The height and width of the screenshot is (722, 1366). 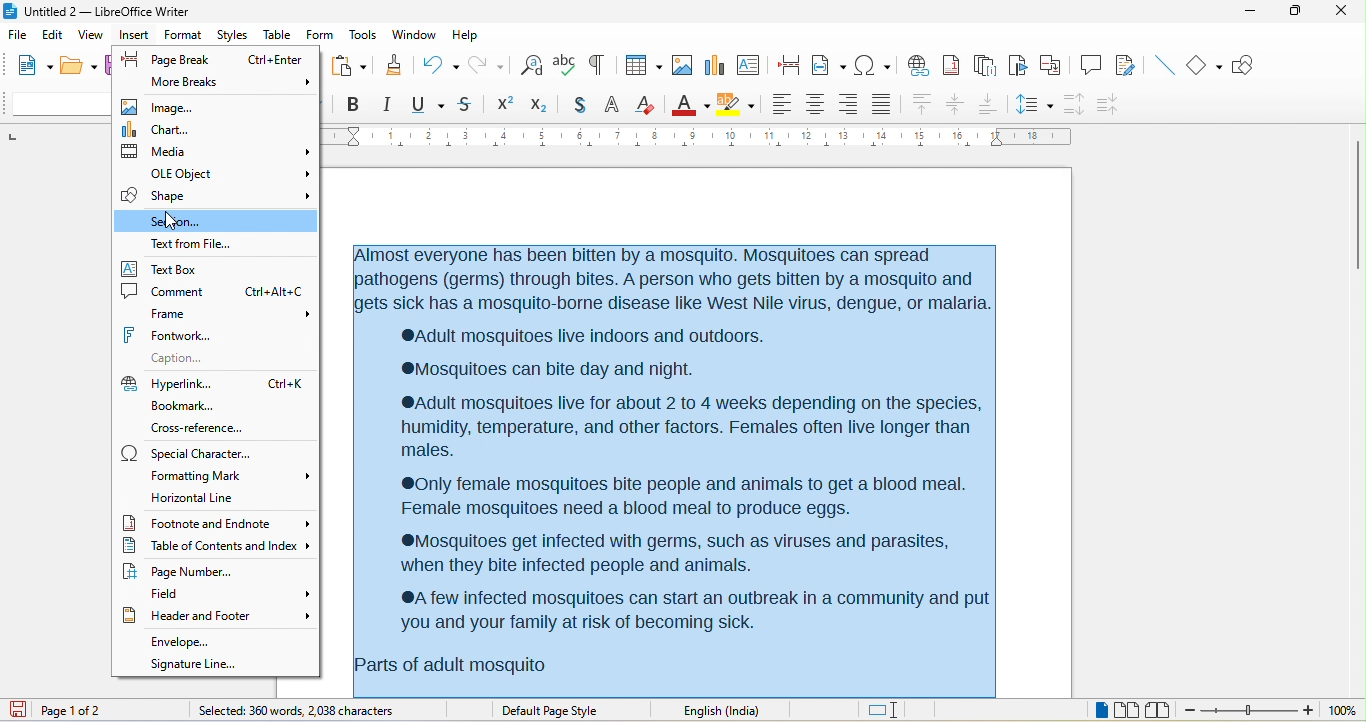 I want to click on image, so click(x=683, y=64).